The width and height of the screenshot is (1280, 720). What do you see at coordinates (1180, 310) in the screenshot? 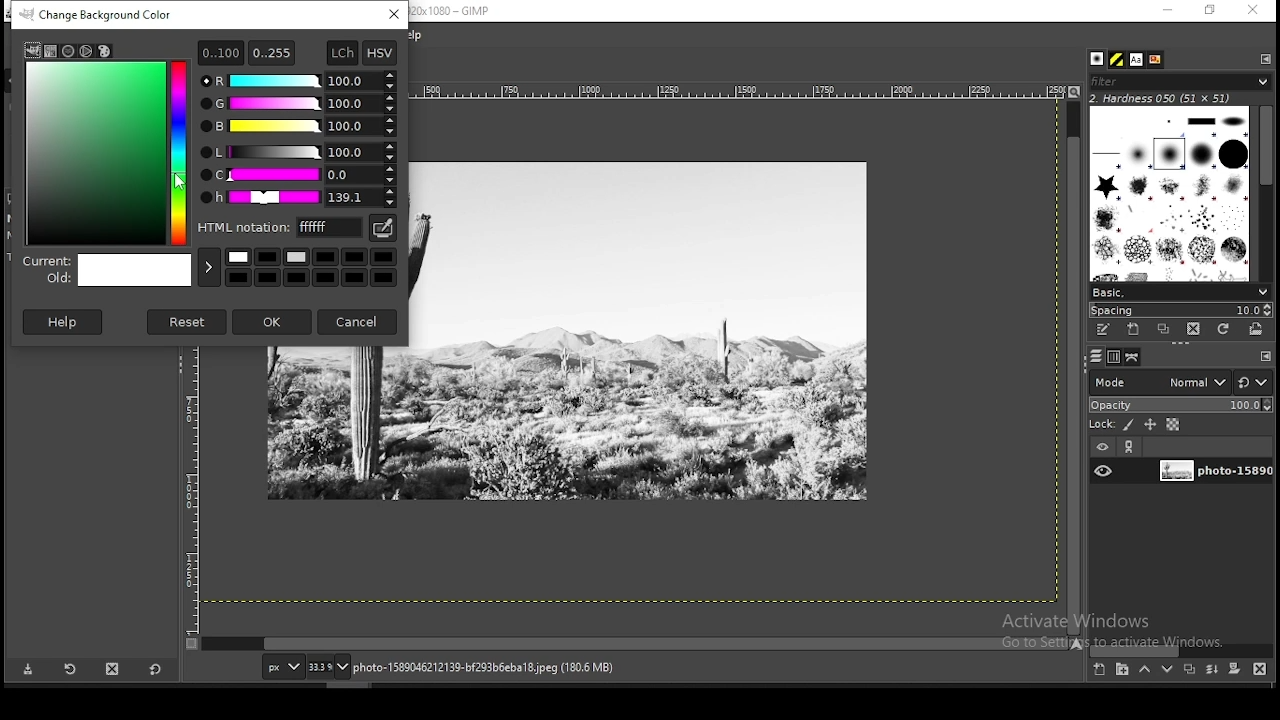
I see `spacing` at bounding box center [1180, 310].